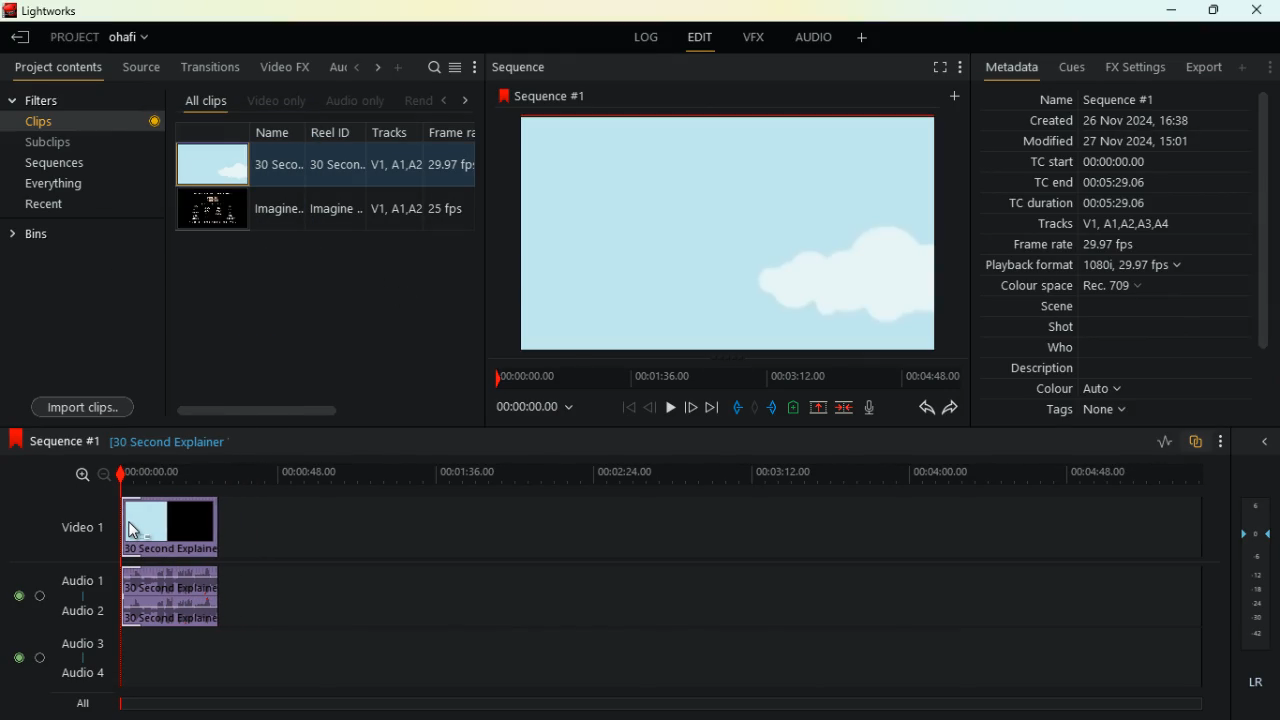  What do you see at coordinates (40, 12) in the screenshot?
I see `lightworks` at bounding box center [40, 12].